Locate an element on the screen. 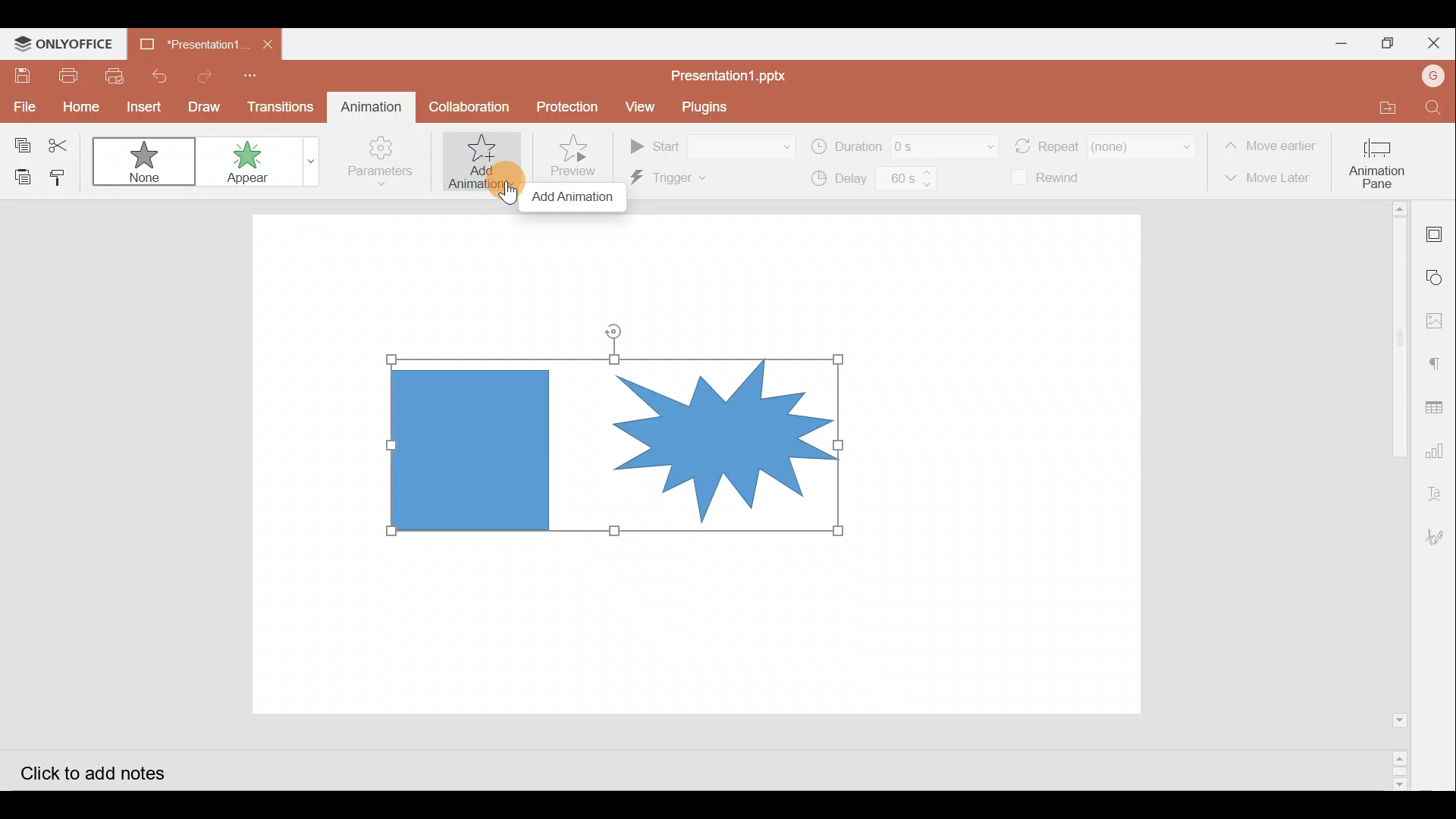 The image size is (1456, 819). Chart settings is located at coordinates (1438, 450).